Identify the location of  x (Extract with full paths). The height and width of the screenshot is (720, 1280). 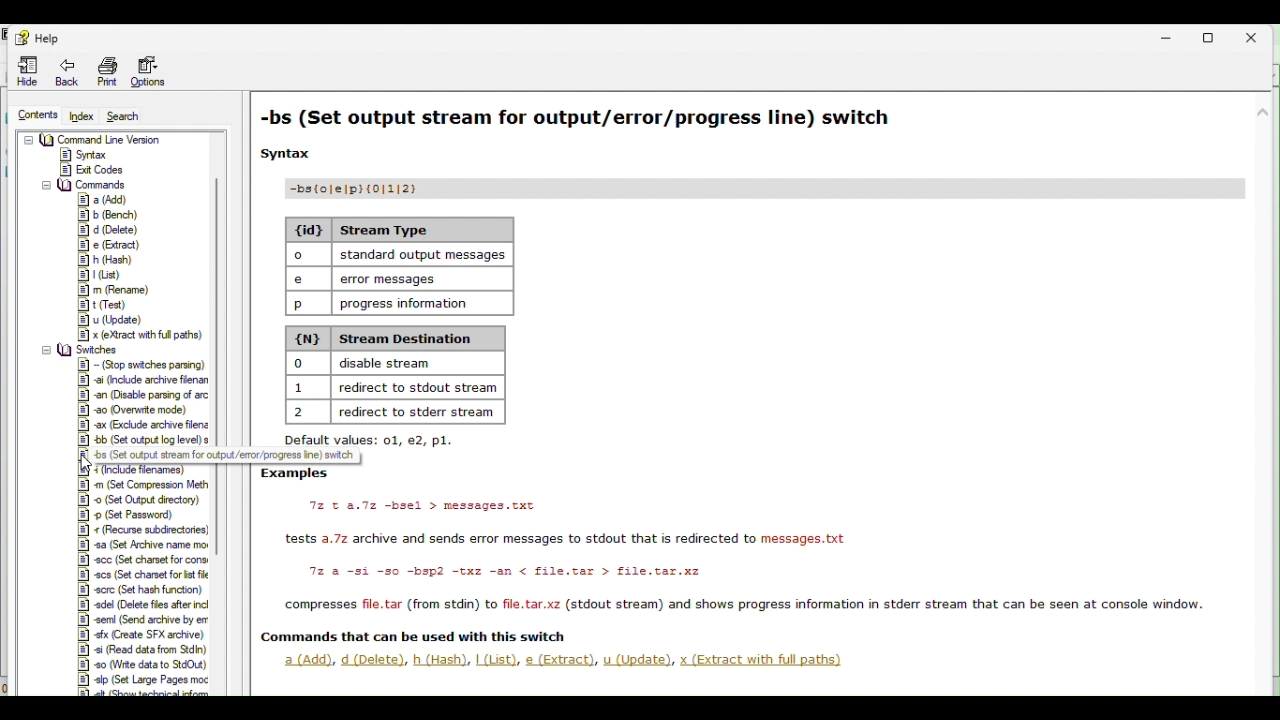
(762, 660).